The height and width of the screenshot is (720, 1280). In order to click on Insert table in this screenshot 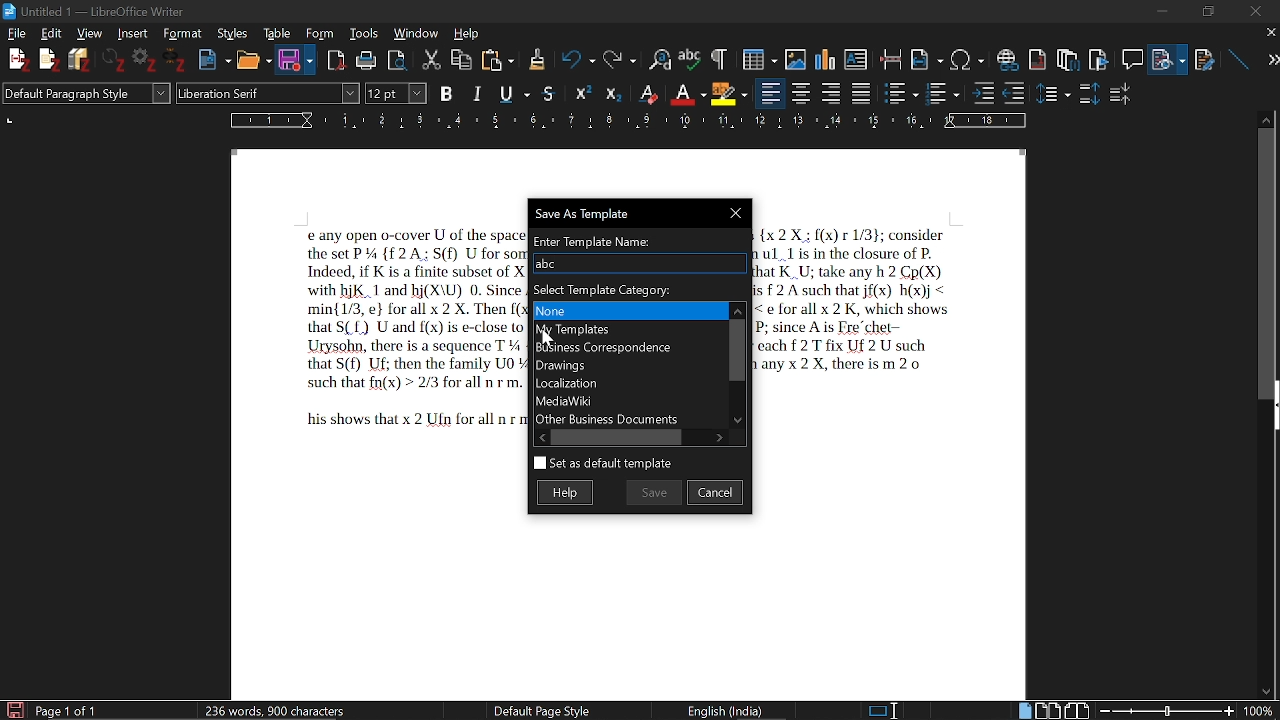, I will do `click(752, 57)`.